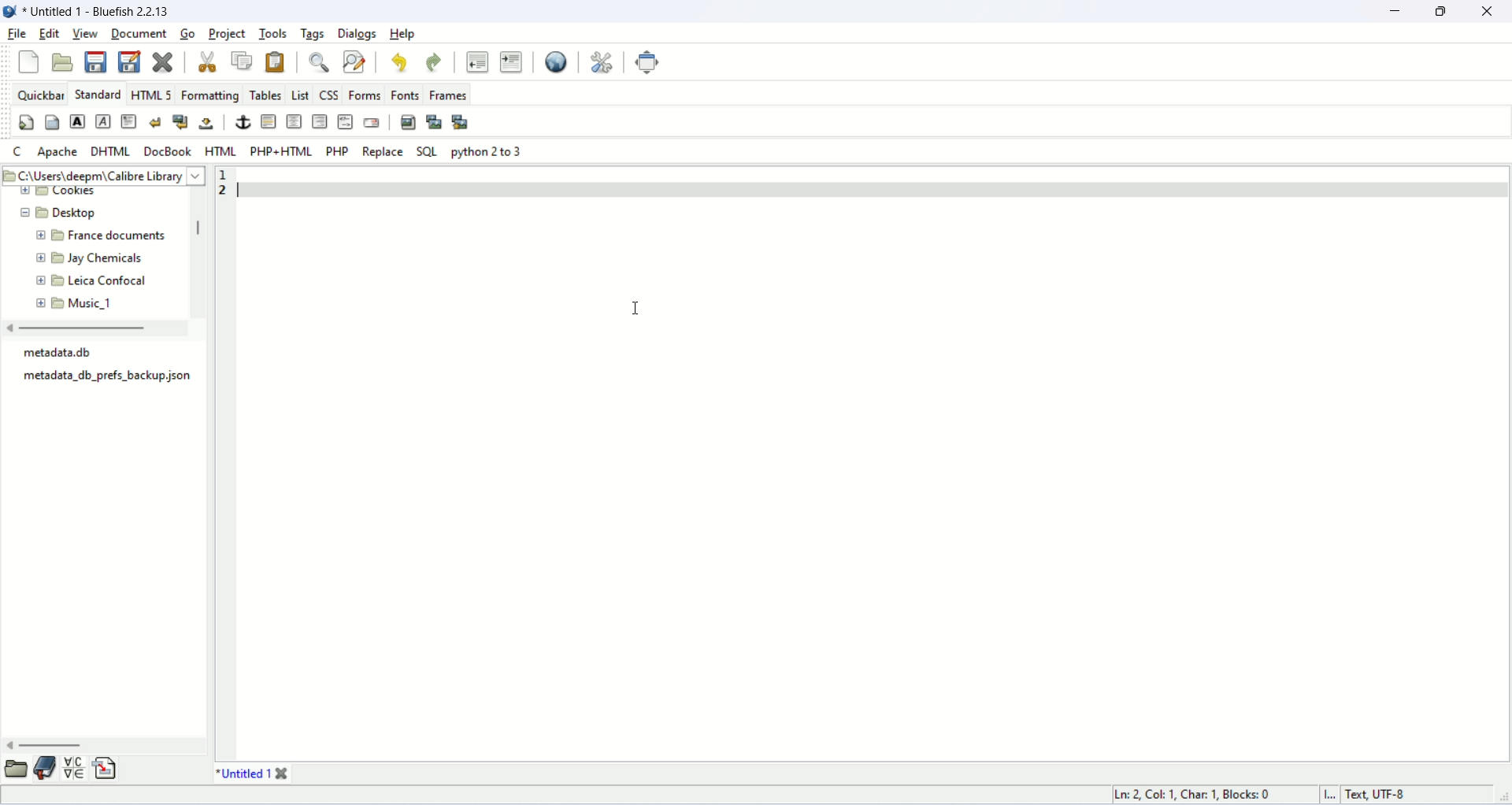 This screenshot has width=1512, height=805. Describe the element at coordinates (313, 34) in the screenshot. I see `tags` at that location.